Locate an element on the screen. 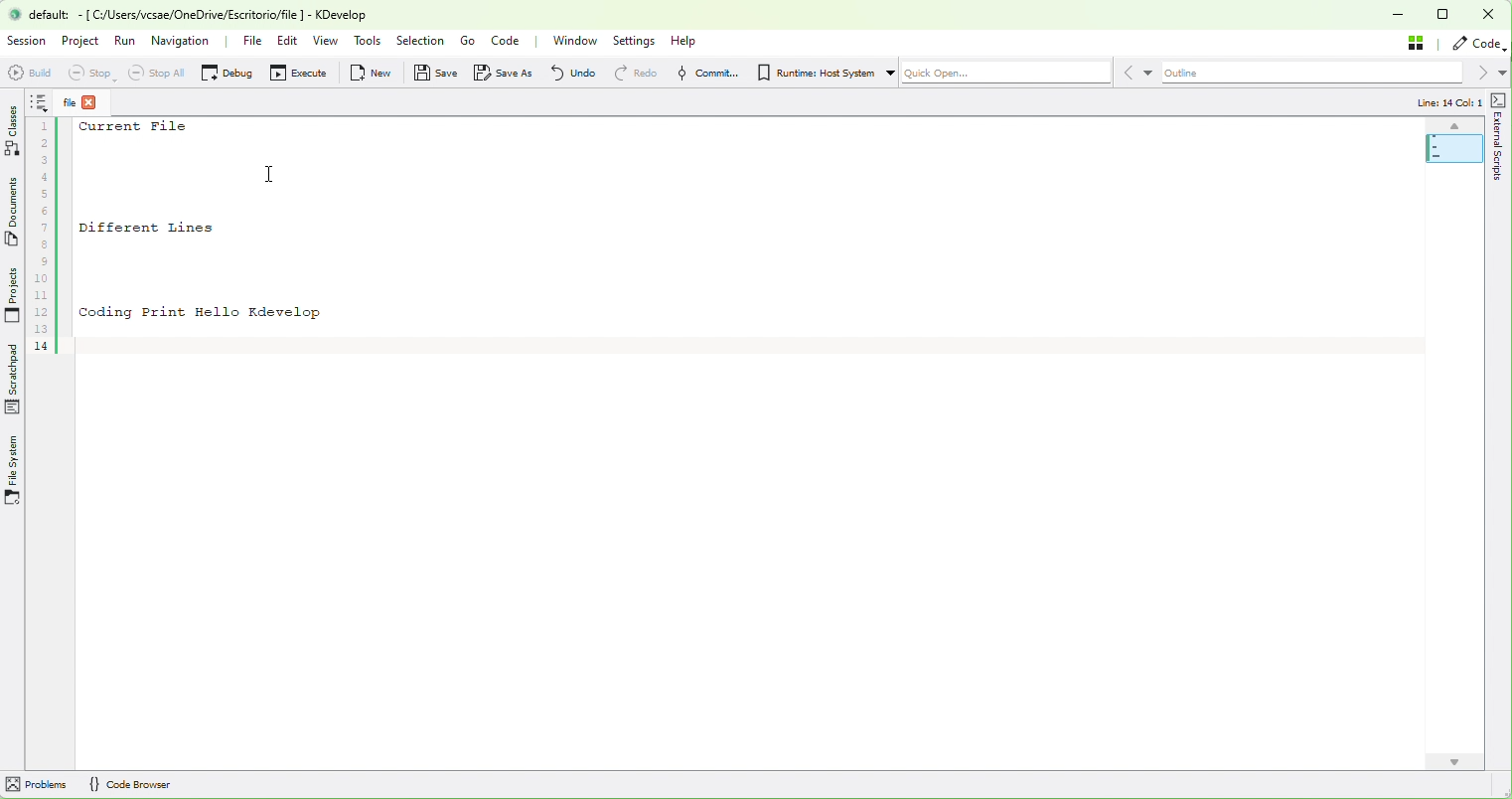 The image size is (1512, 799). logo is located at coordinates (15, 14).